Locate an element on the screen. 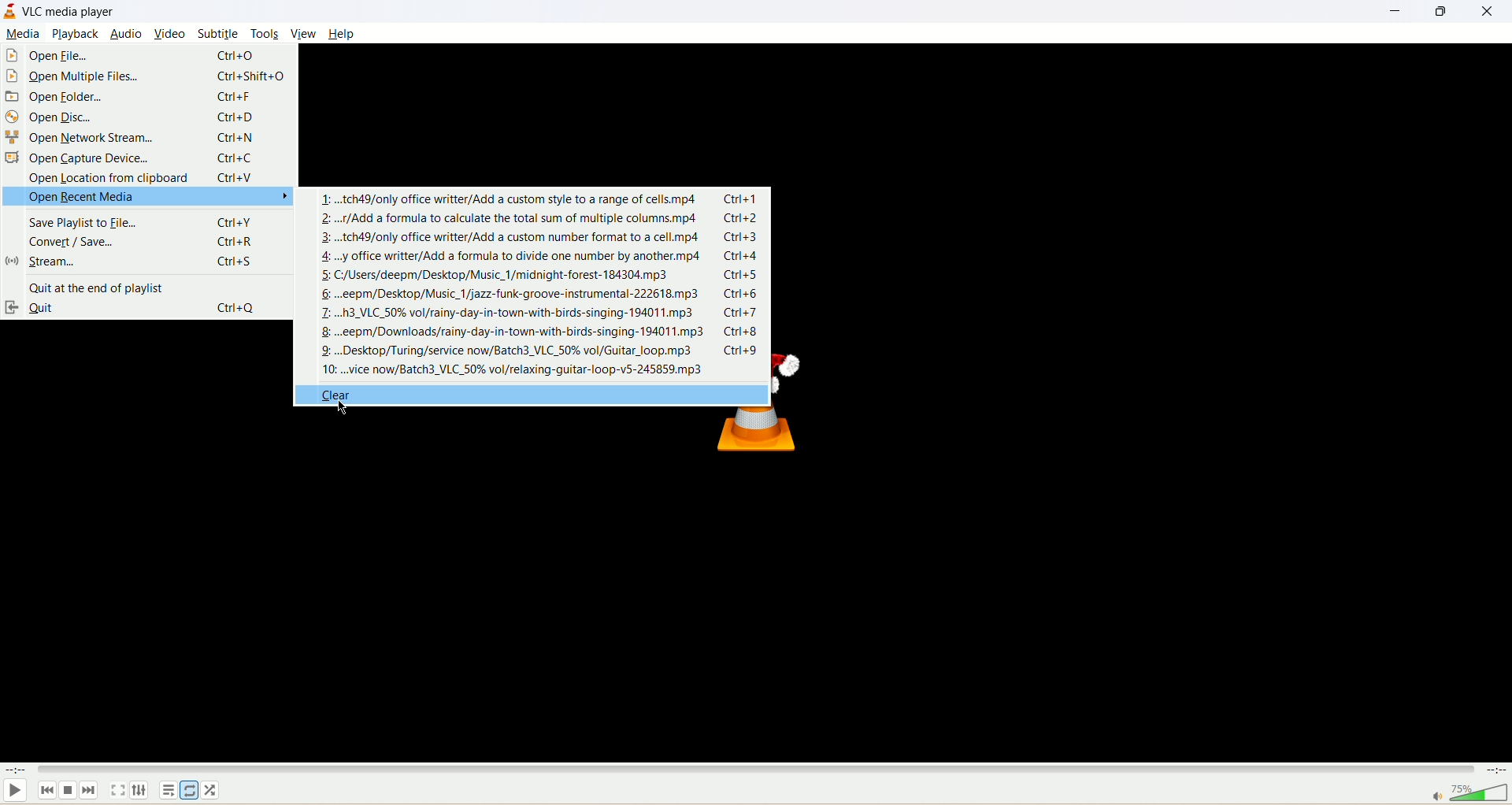 The image size is (1512, 805). ctrl+2 is located at coordinates (745, 219).